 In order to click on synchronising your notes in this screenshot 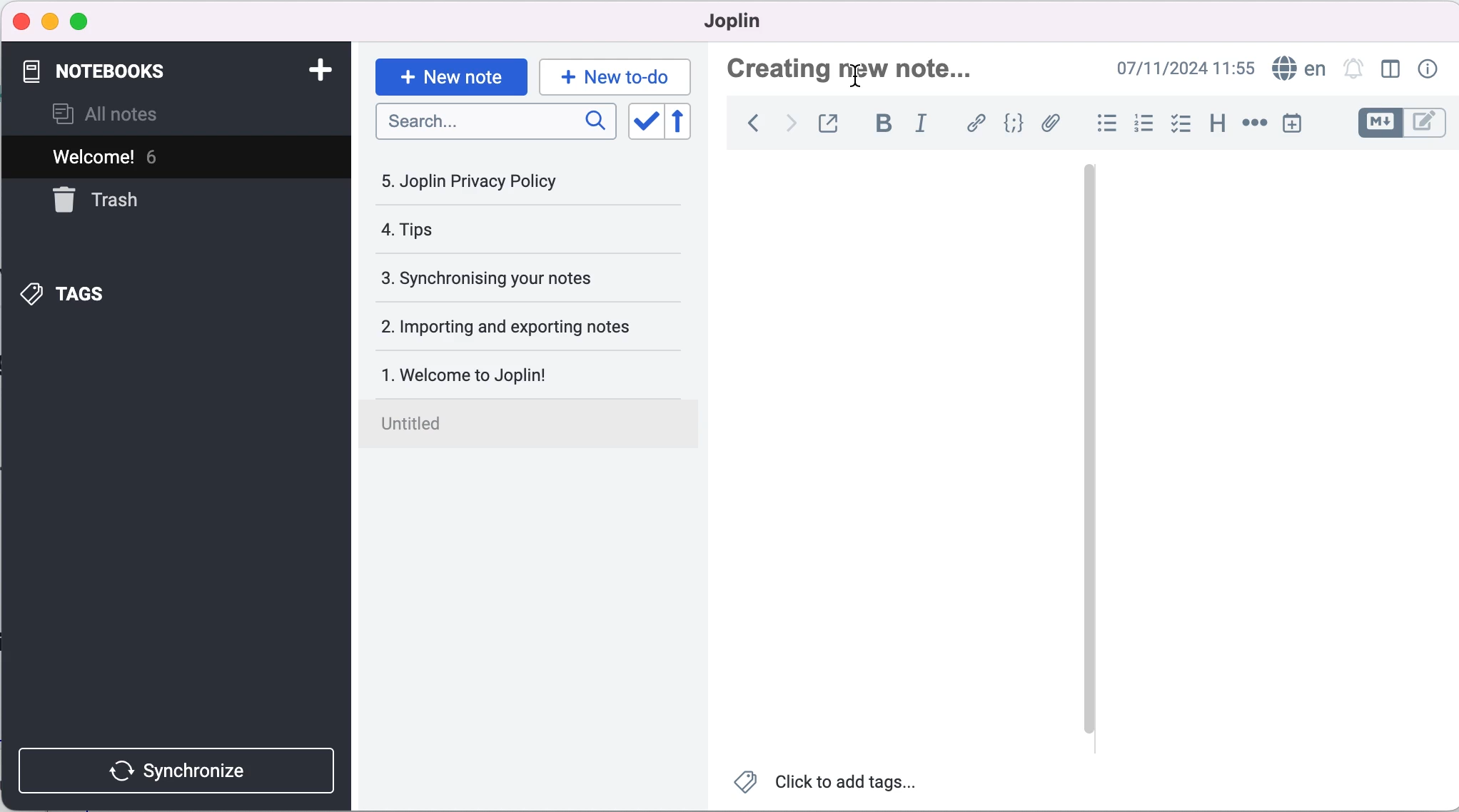, I will do `click(512, 279)`.